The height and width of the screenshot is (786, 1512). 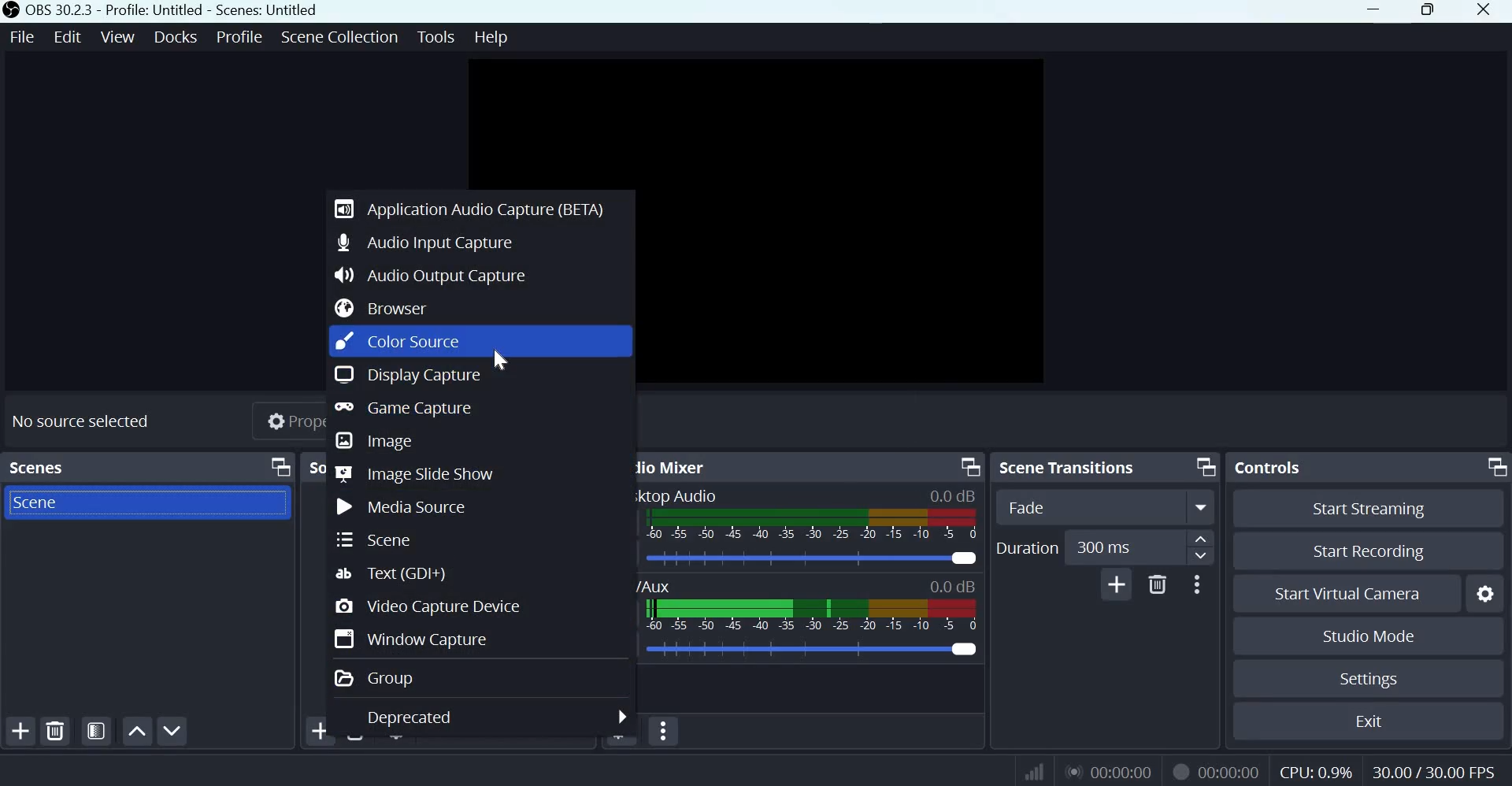 What do you see at coordinates (411, 407) in the screenshot?
I see `Game capture` at bounding box center [411, 407].